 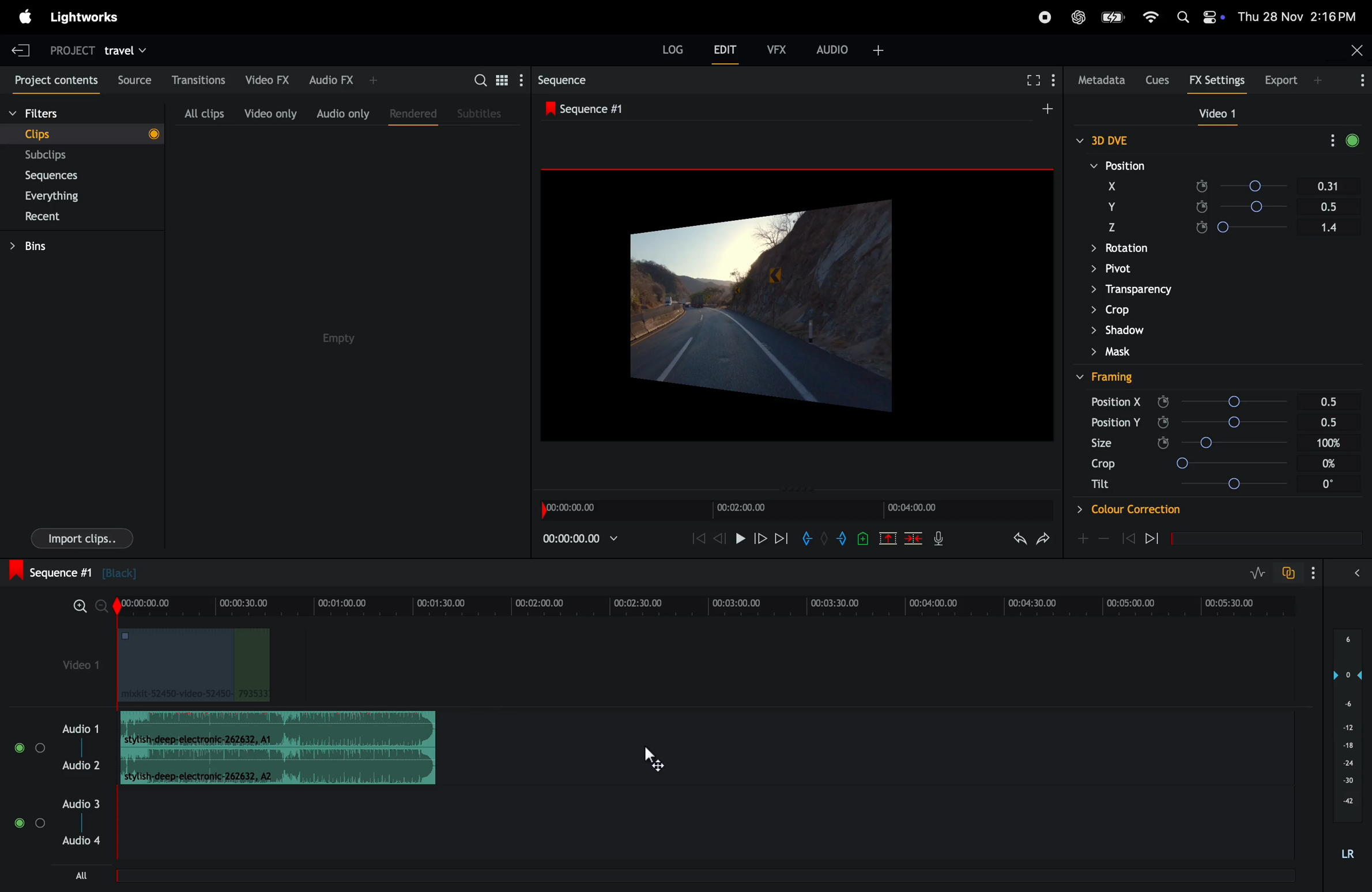 What do you see at coordinates (1151, 310) in the screenshot?
I see `color correction` at bounding box center [1151, 310].